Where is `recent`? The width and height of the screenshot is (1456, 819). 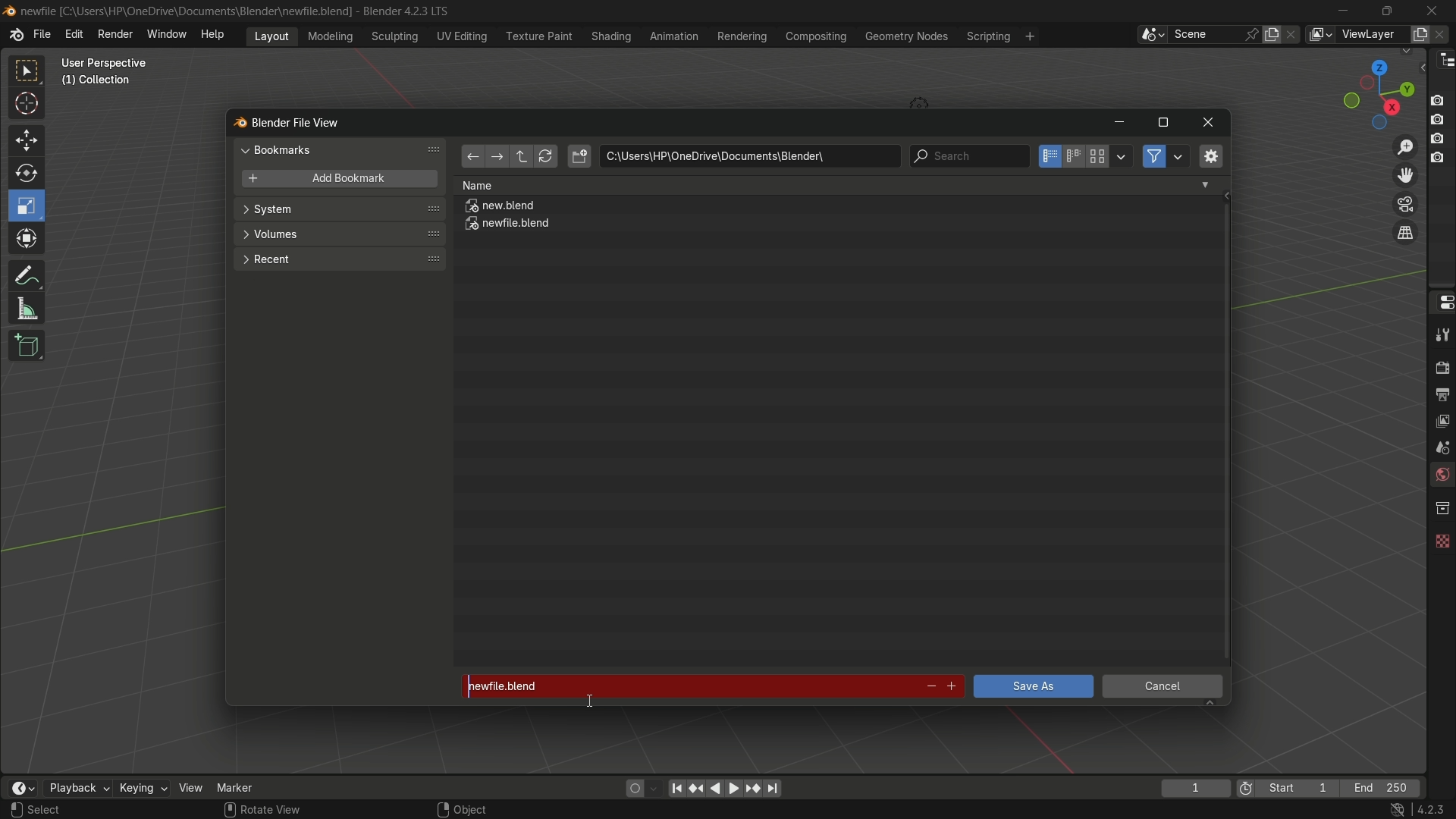 recent is located at coordinates (337, 258).